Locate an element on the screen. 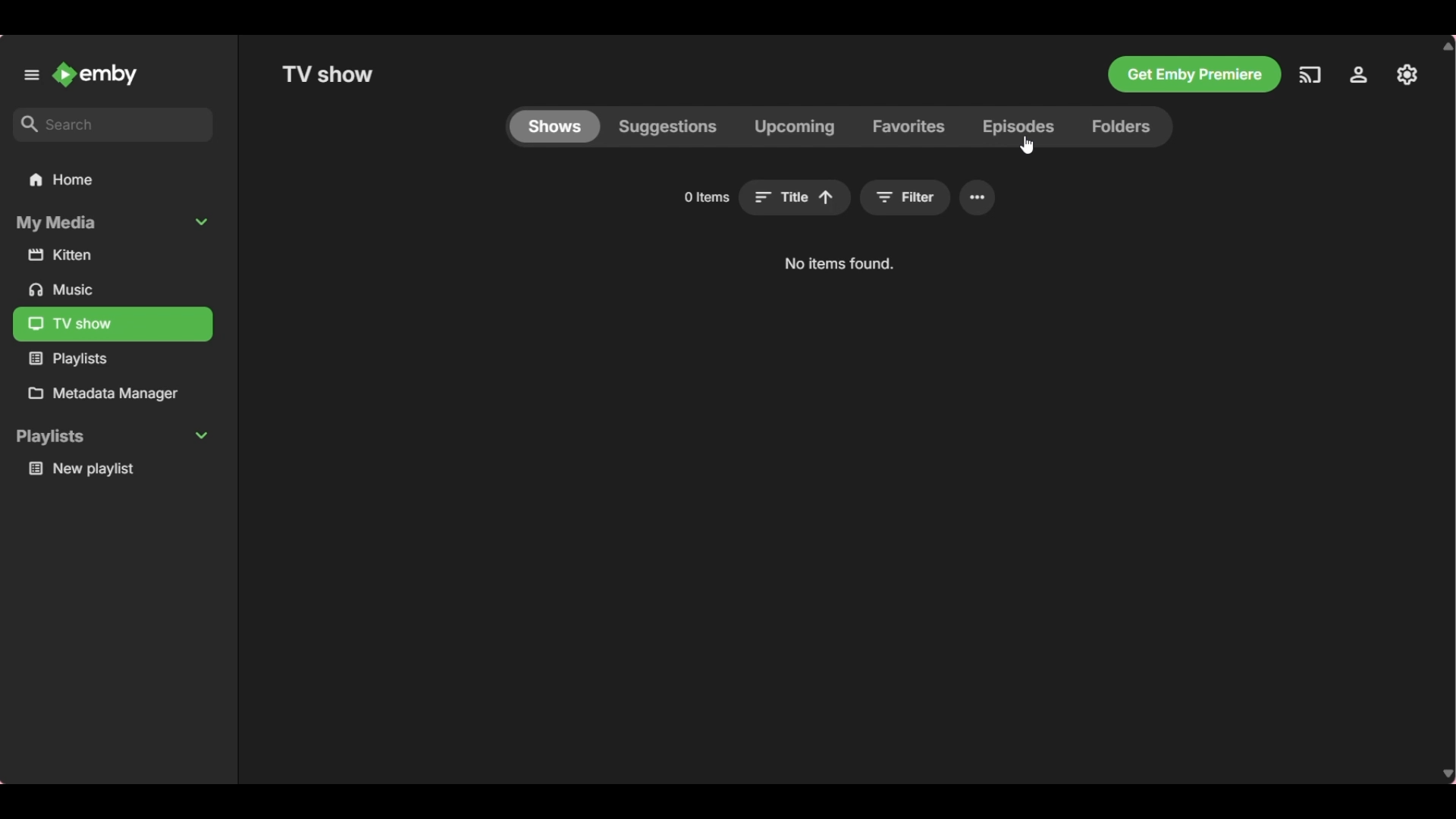  Search filters is located at coordinates (905, 198).